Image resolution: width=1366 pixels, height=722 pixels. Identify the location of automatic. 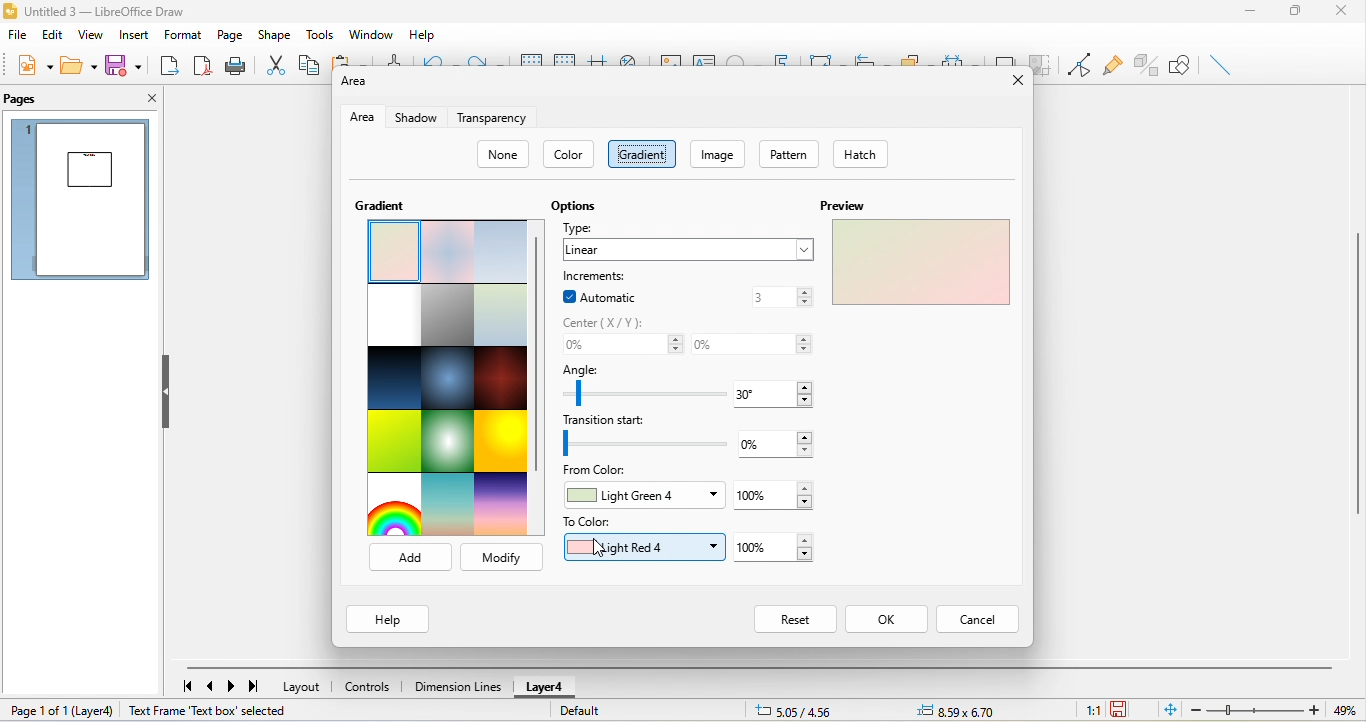
(613, 296).